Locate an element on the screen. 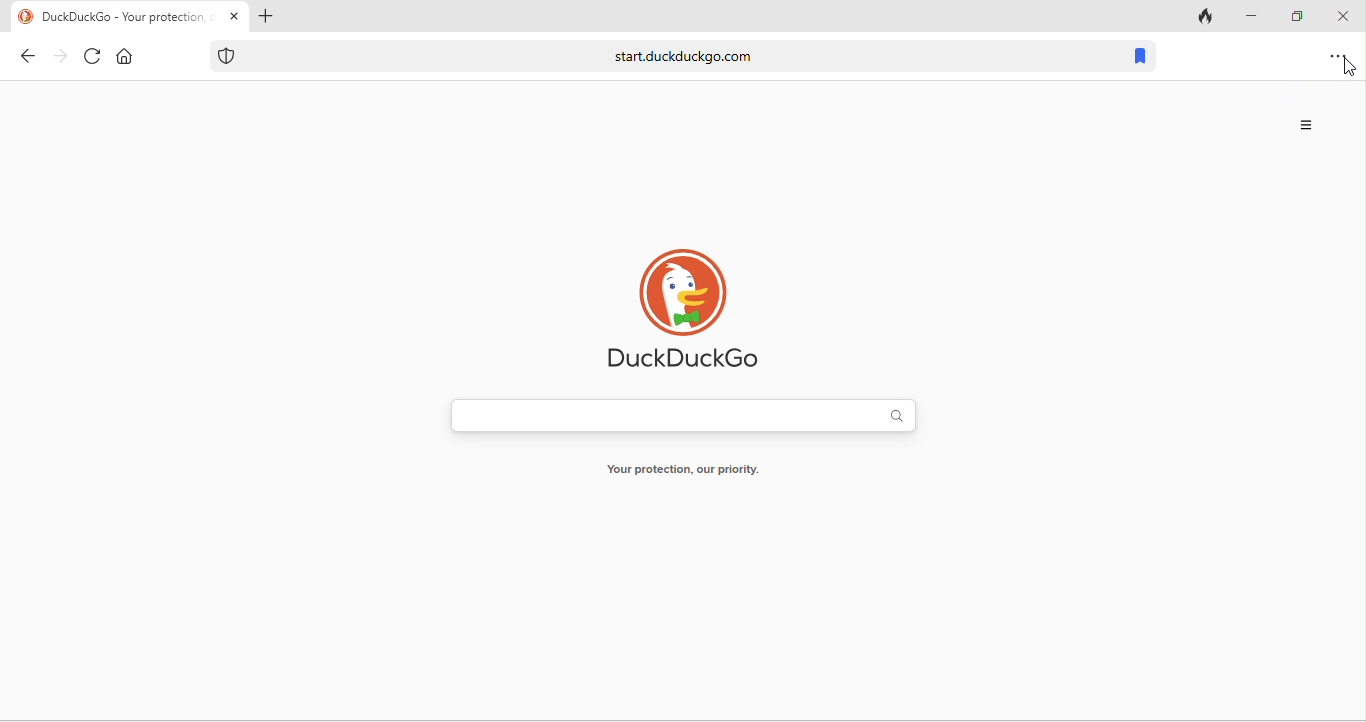 The width and height of the screenshot is (1366, 722). duck duck go logo is located at coordinates (692, 310).